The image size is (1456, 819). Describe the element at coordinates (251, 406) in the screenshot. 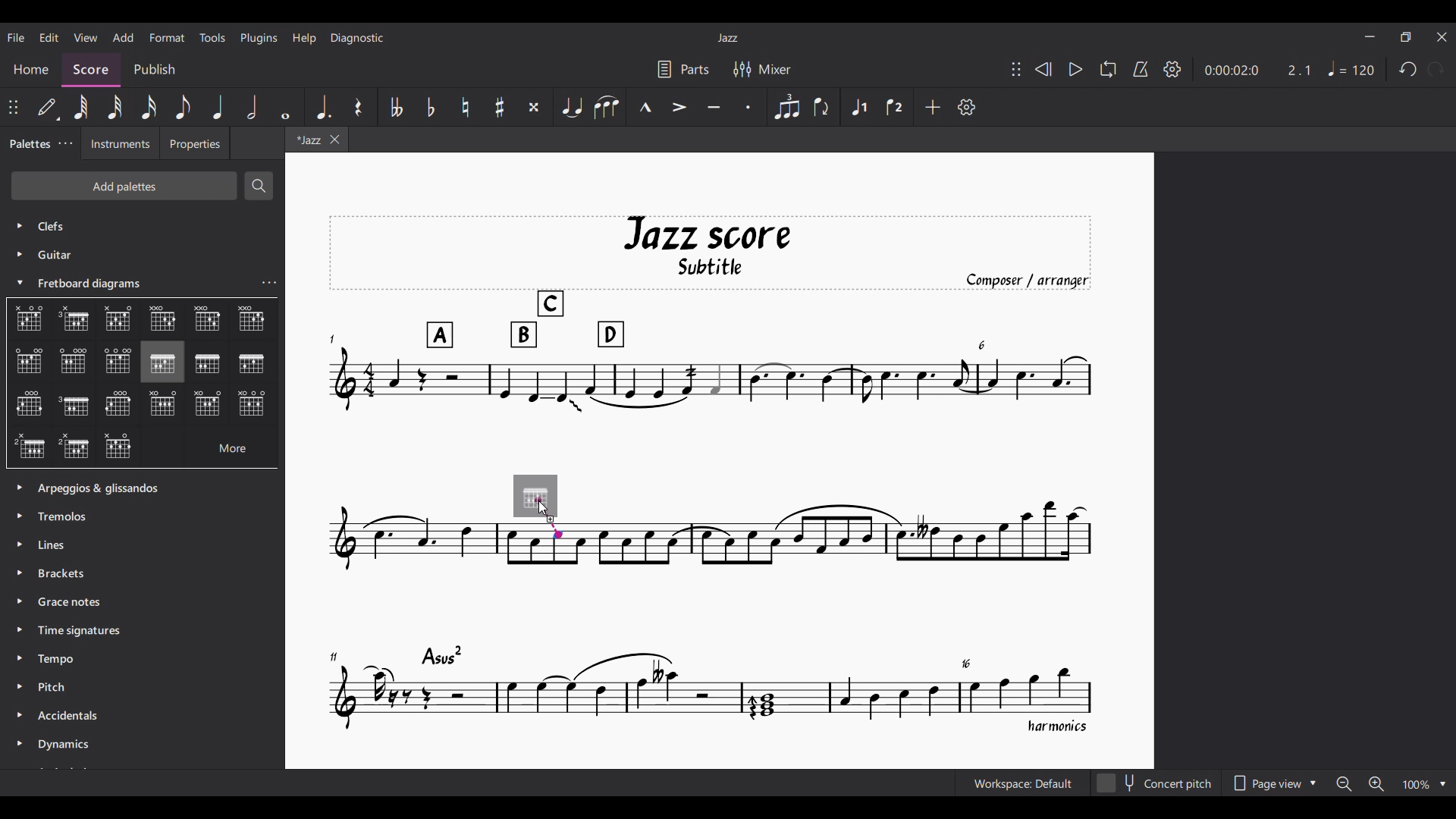

I see `Chart 16` at that location.